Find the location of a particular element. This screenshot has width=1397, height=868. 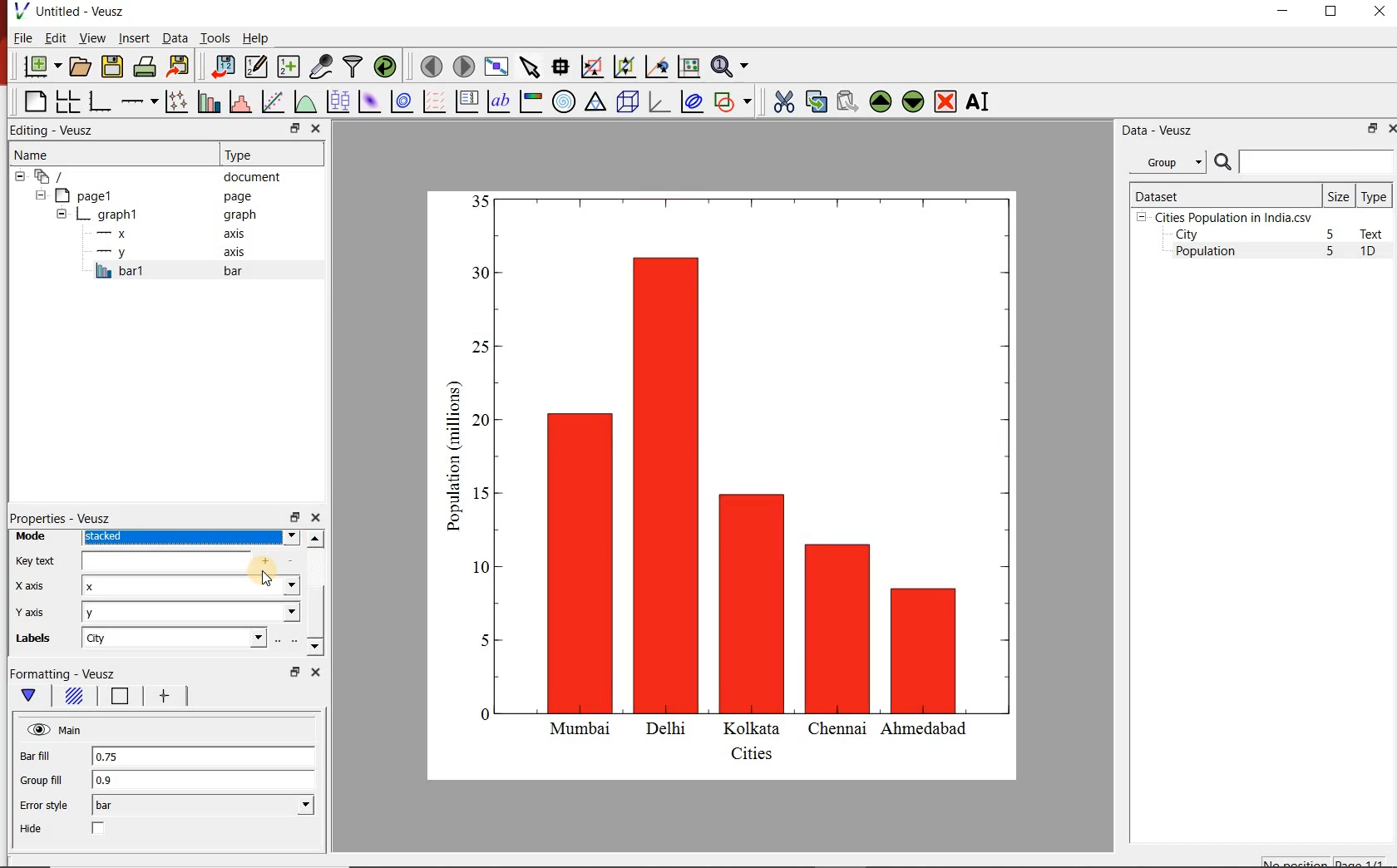

Ternary graph is located at coordinates (595, 102).